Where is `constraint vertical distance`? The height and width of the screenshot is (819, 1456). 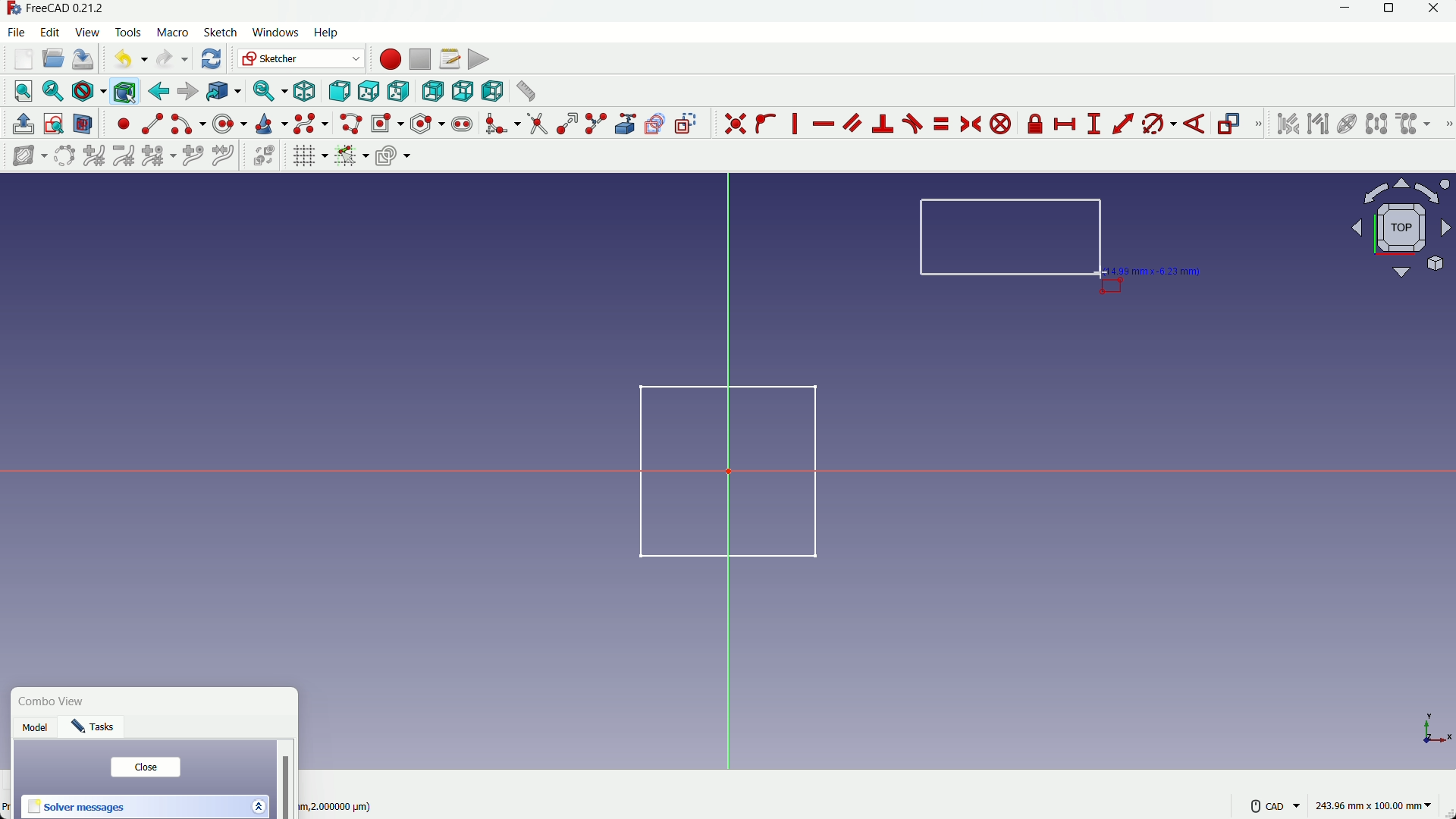 constraint vertical distance is located at coordinates (1094, 124).